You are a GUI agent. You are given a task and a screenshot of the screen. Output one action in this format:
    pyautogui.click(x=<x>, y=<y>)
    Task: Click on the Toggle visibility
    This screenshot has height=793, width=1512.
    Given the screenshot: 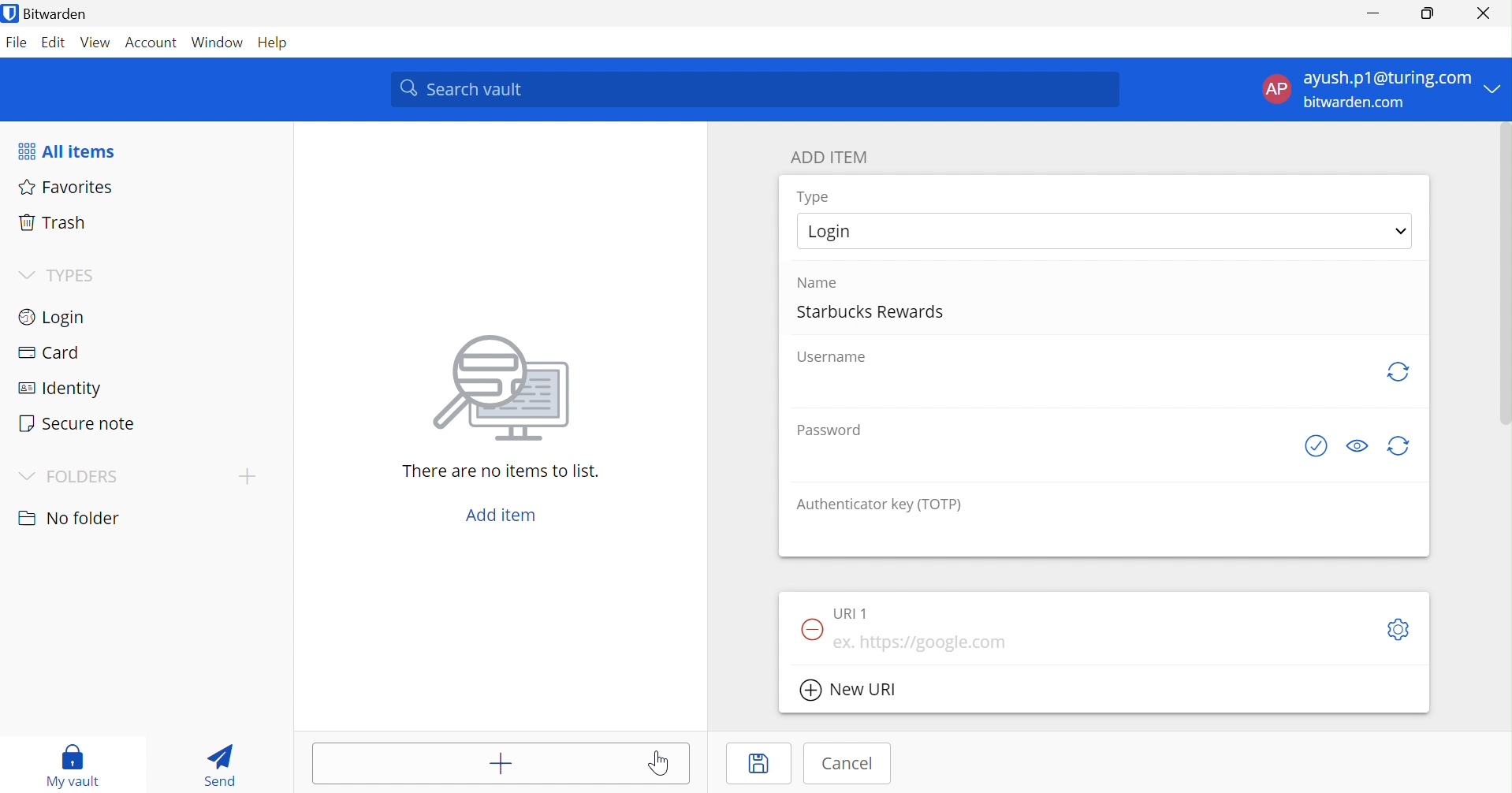 What is the action you would take?
    pyautogui.click(x=1357, y=445)
    